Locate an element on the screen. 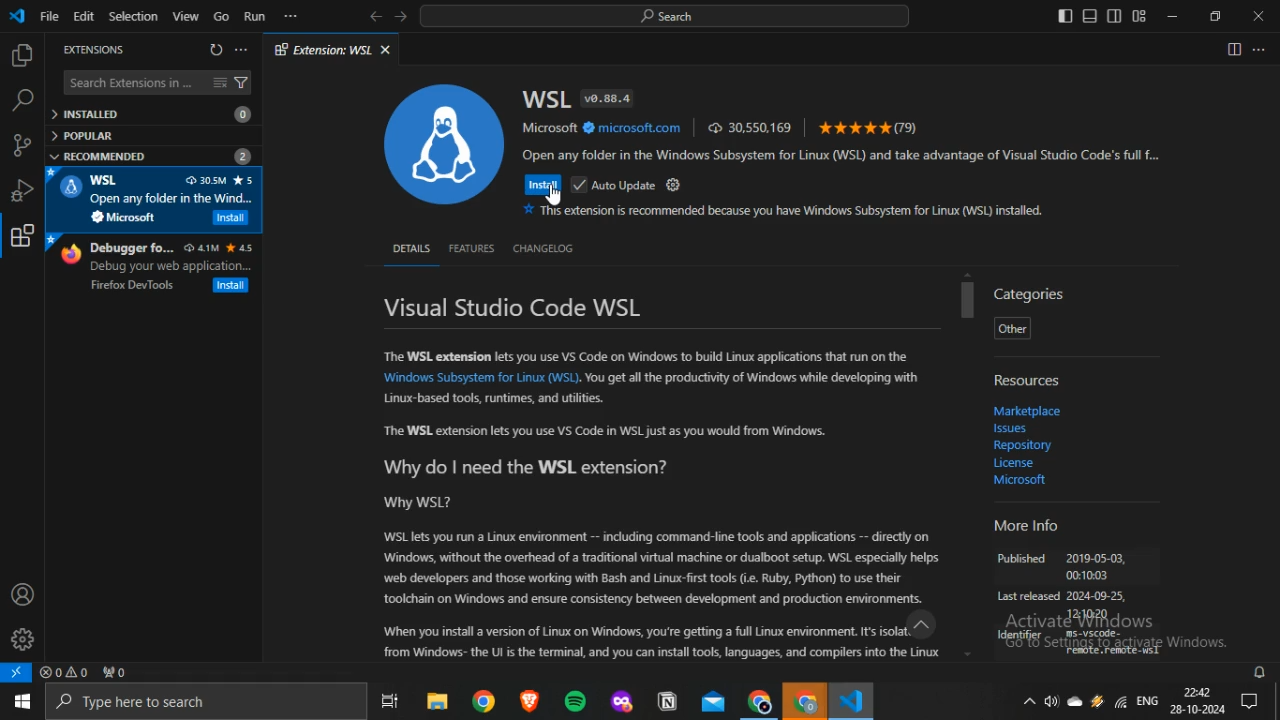 The image size is (1280, 720). 2024-09-25, is located at coordinates (1098, 596).